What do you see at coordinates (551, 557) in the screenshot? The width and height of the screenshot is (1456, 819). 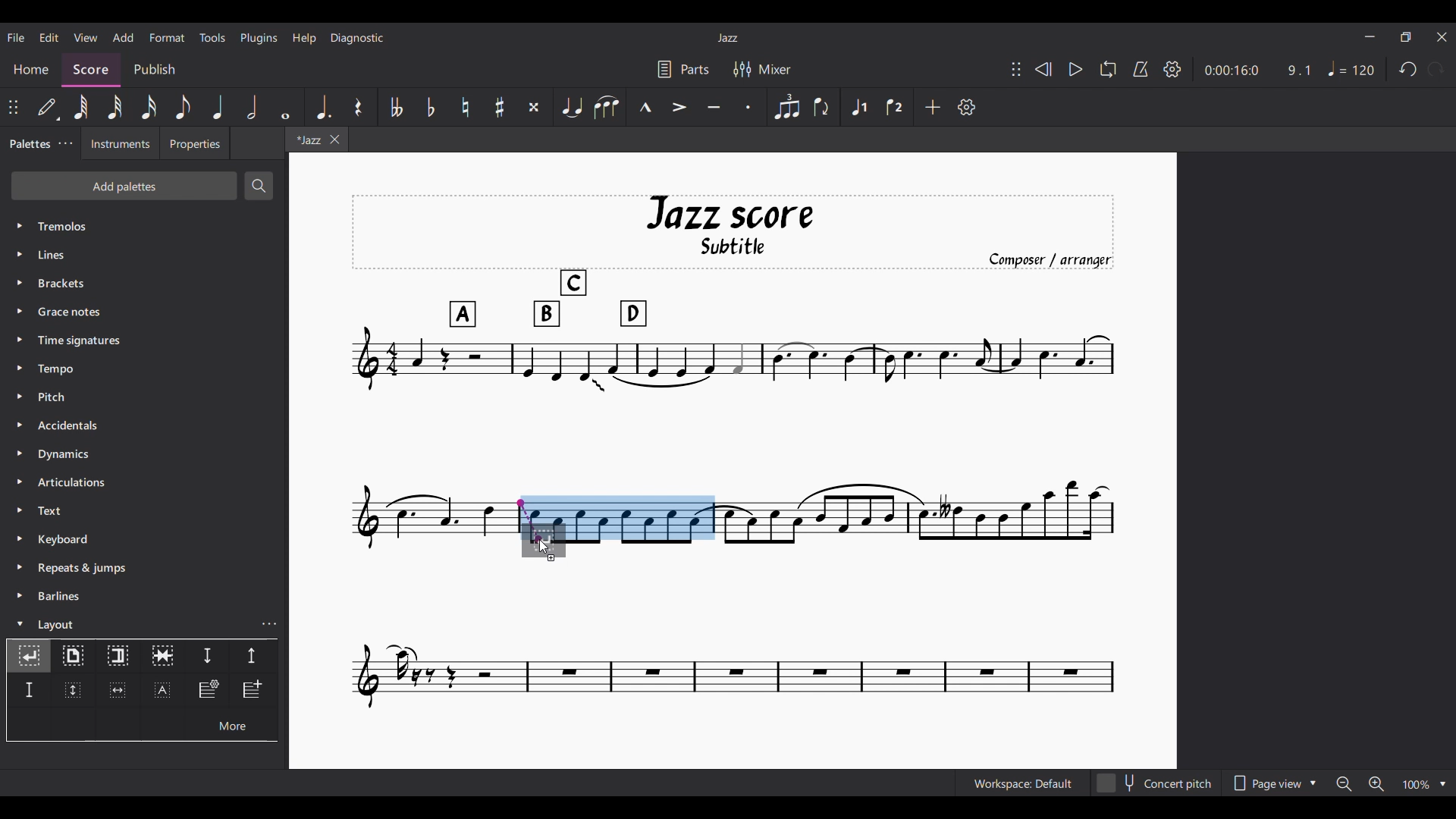 I see `Indicates addition` at bounding box center [551, 557].